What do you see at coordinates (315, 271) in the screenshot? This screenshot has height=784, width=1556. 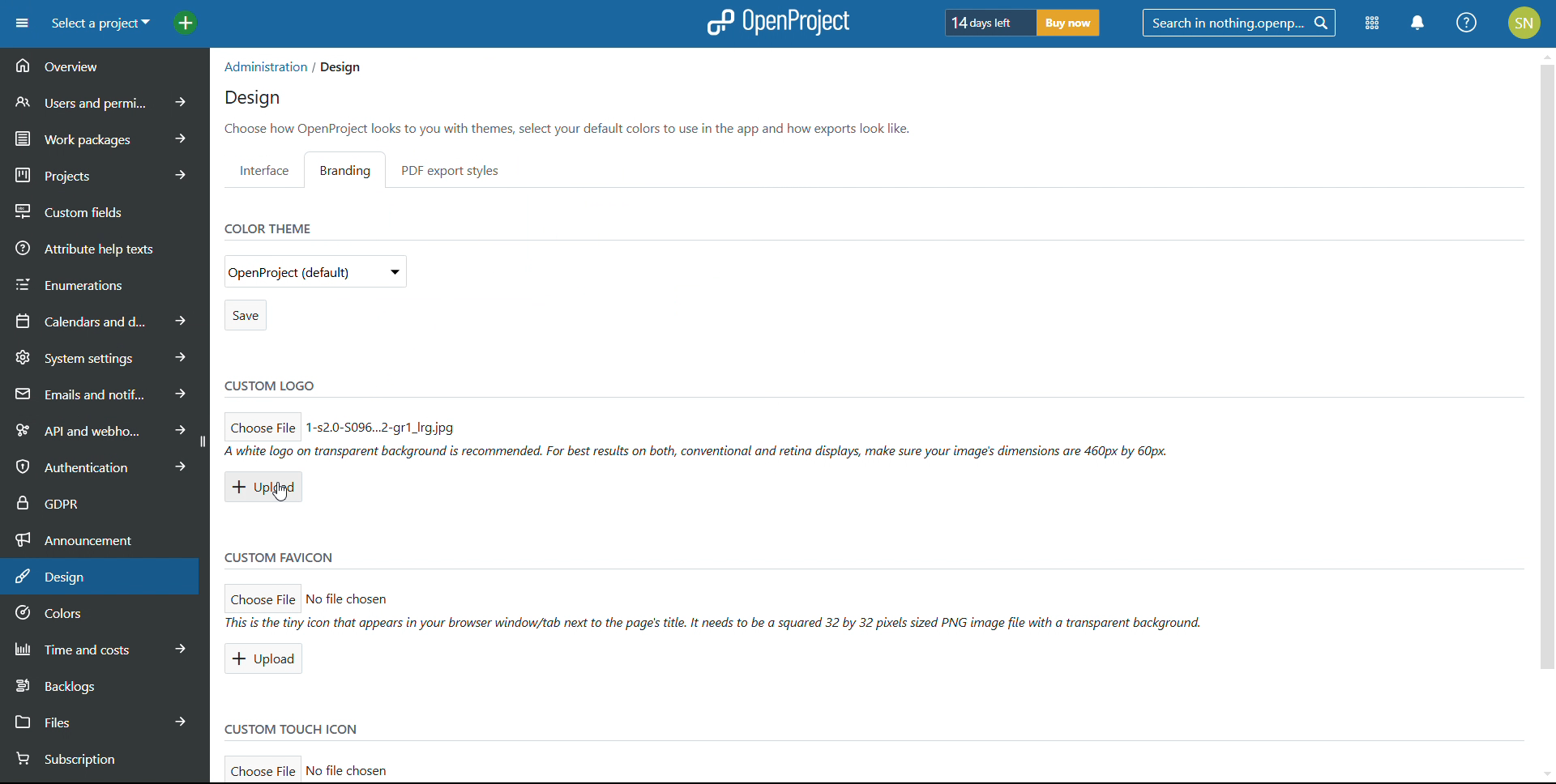 I see `select color theme` at bounding box center [315, 271].